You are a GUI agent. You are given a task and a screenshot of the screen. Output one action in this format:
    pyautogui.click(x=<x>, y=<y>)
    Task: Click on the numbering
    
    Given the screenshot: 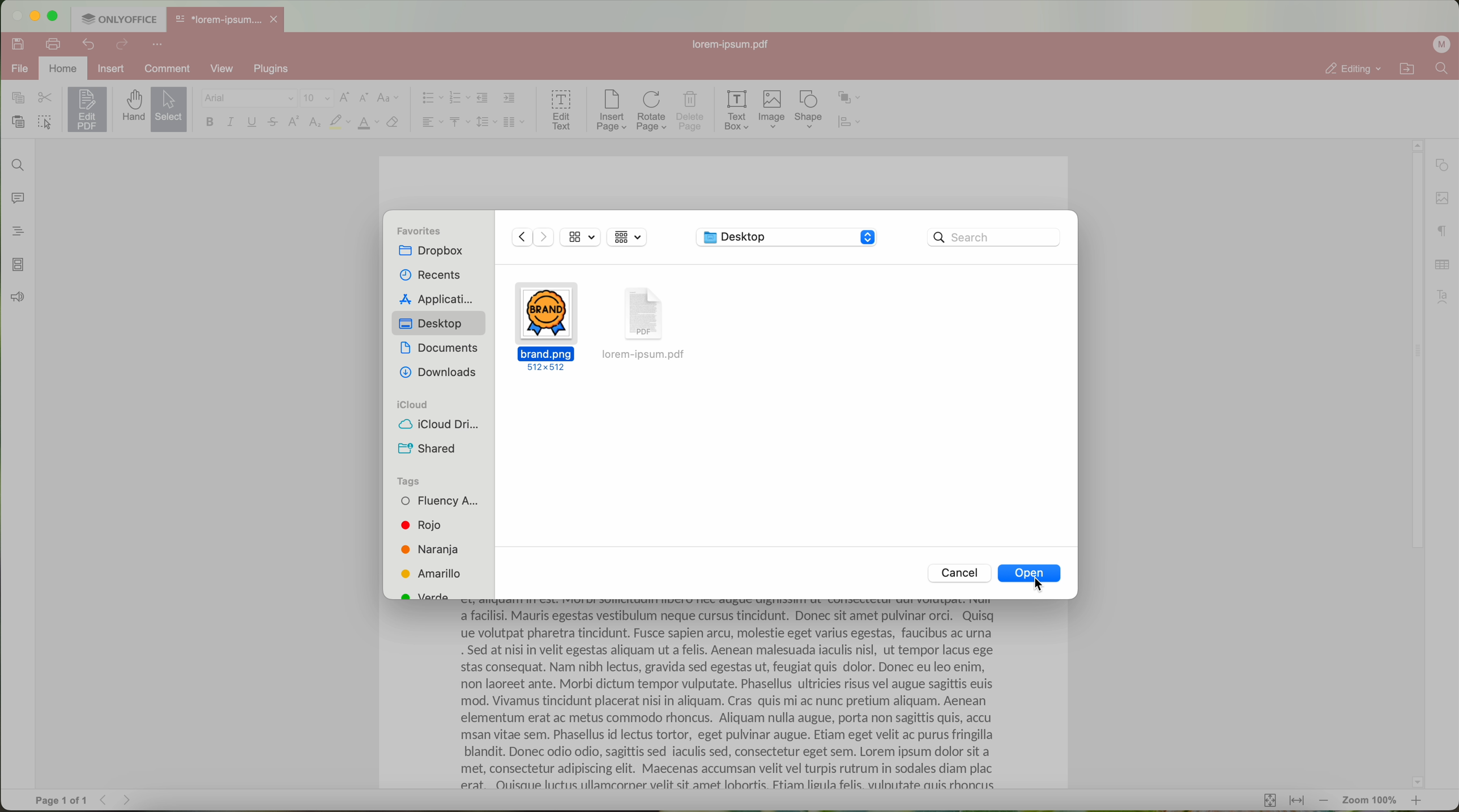 What is the action you would take?
    pyautogui.click(x=459, y=99)
    